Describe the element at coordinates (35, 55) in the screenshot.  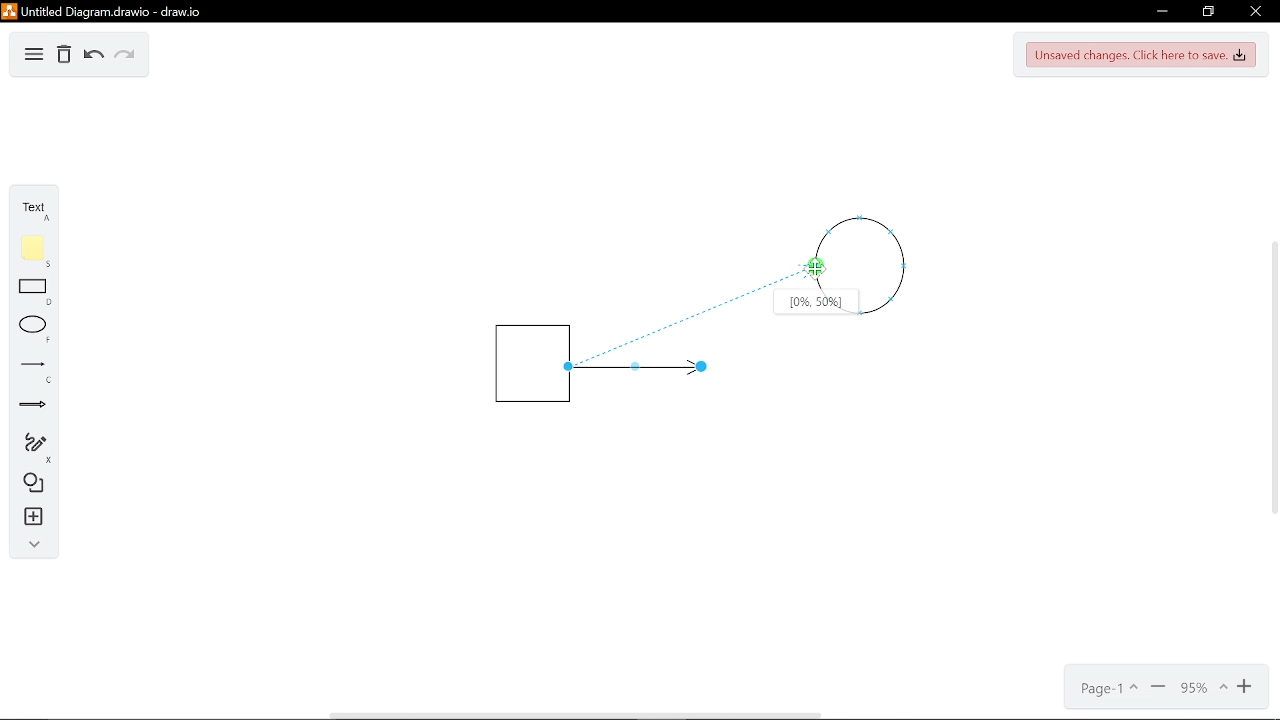
I see `Diagram` at that location.